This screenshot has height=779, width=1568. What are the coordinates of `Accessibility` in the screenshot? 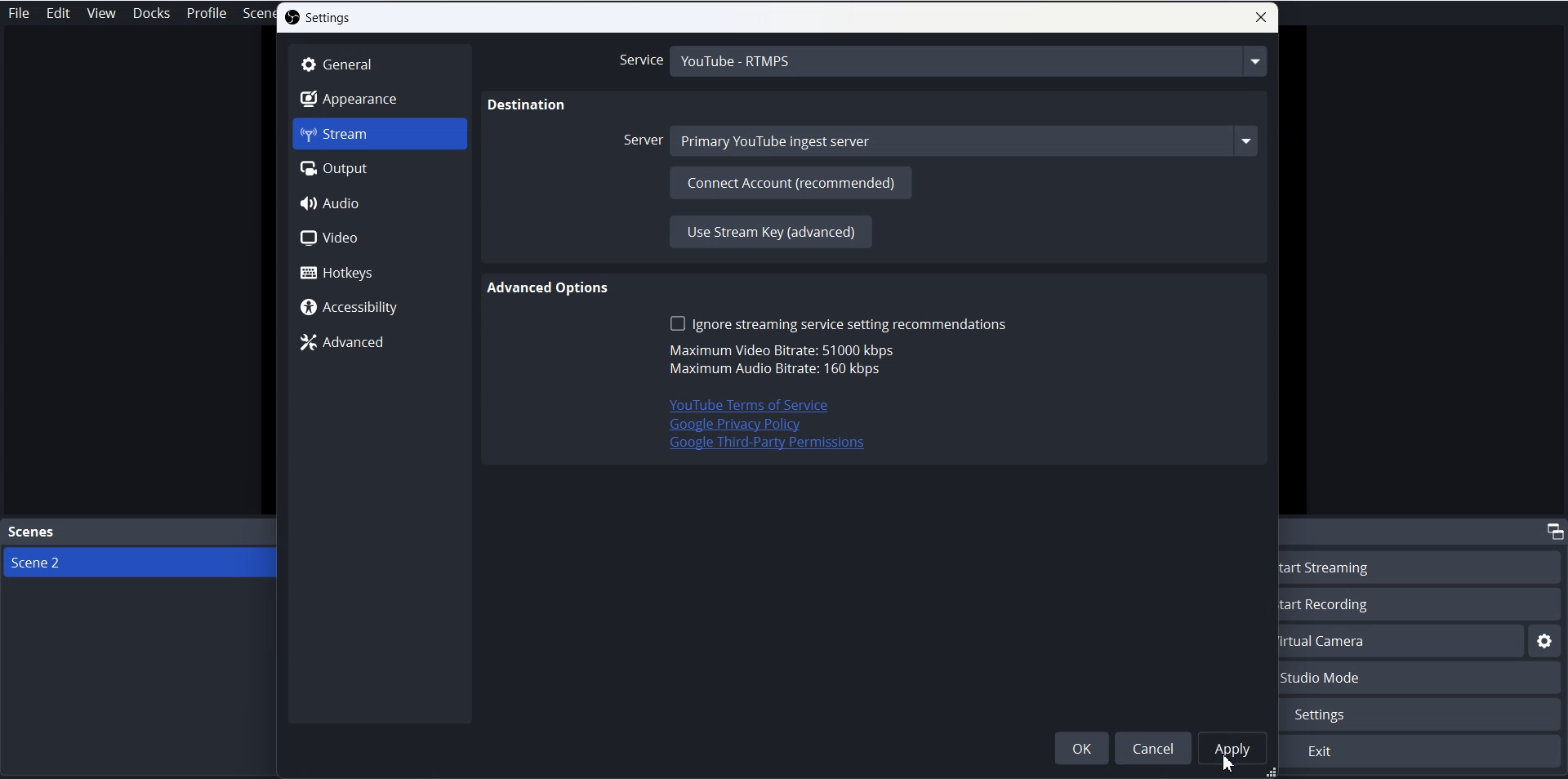 It's located at (380, 306).